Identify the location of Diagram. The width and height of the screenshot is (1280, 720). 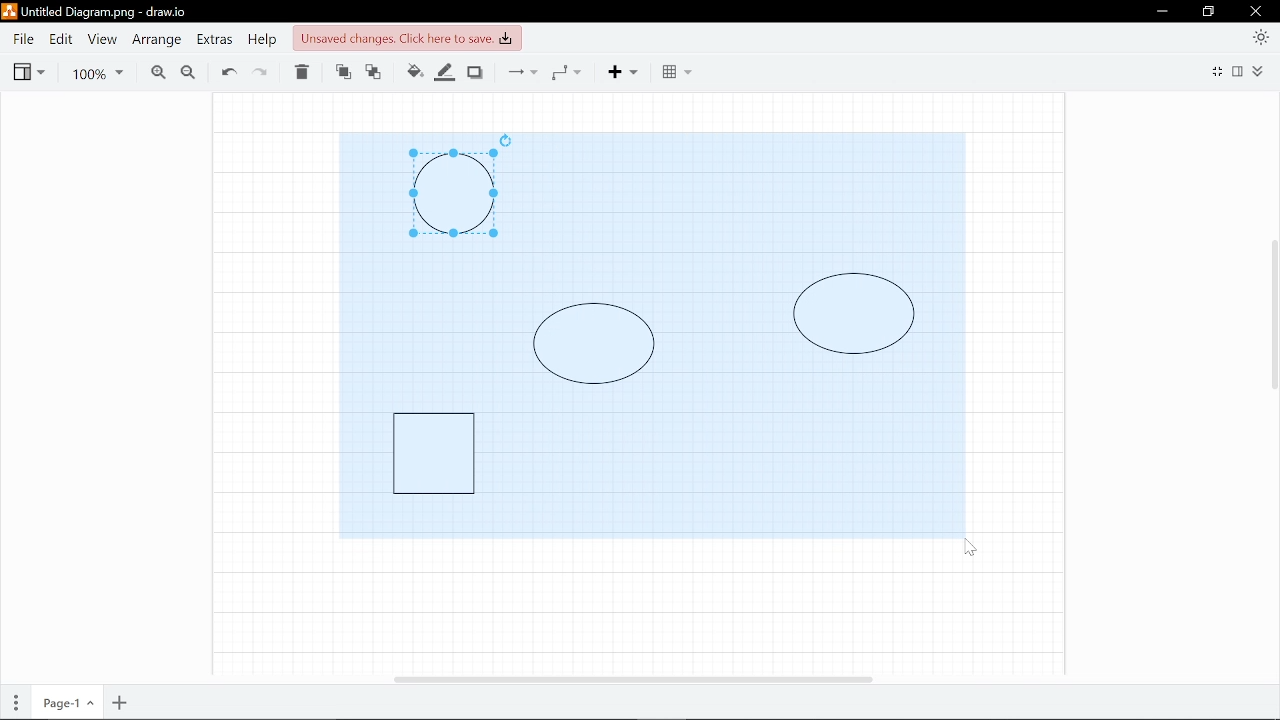
(453, 194).